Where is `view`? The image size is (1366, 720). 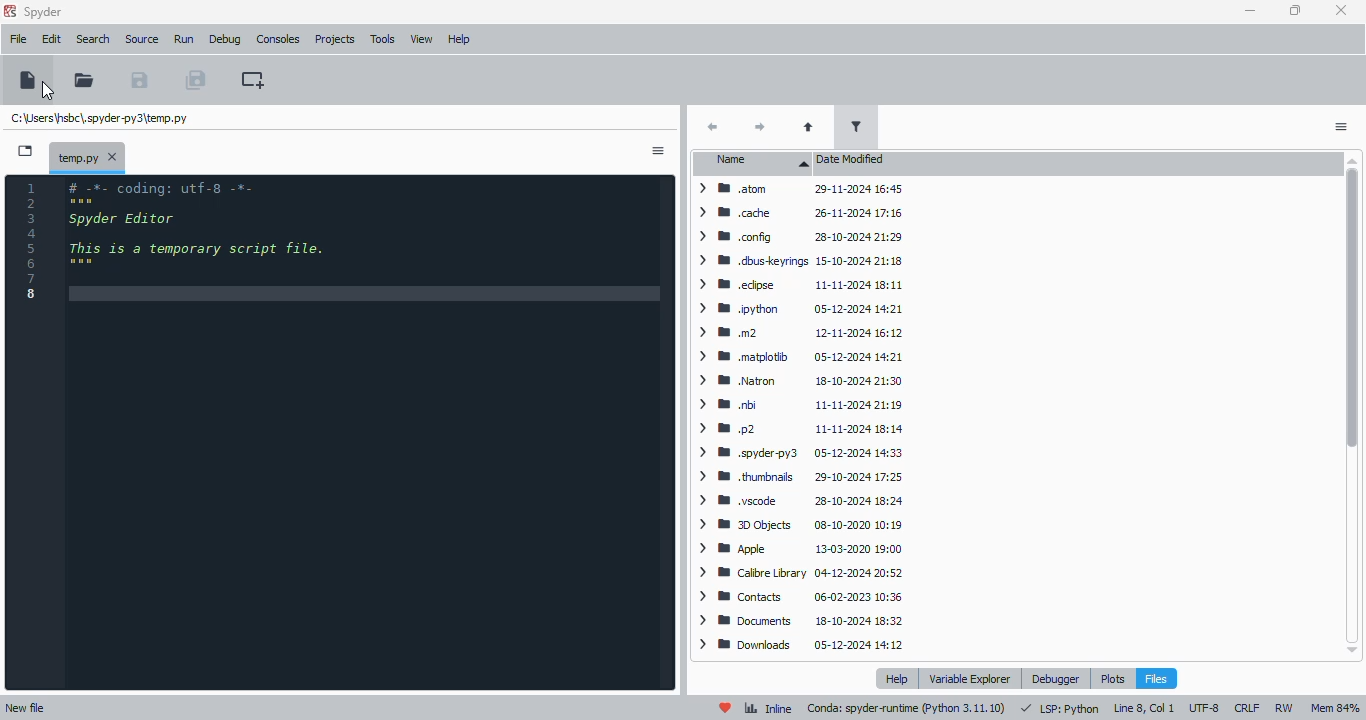
view is located at coordinates (421, 39).